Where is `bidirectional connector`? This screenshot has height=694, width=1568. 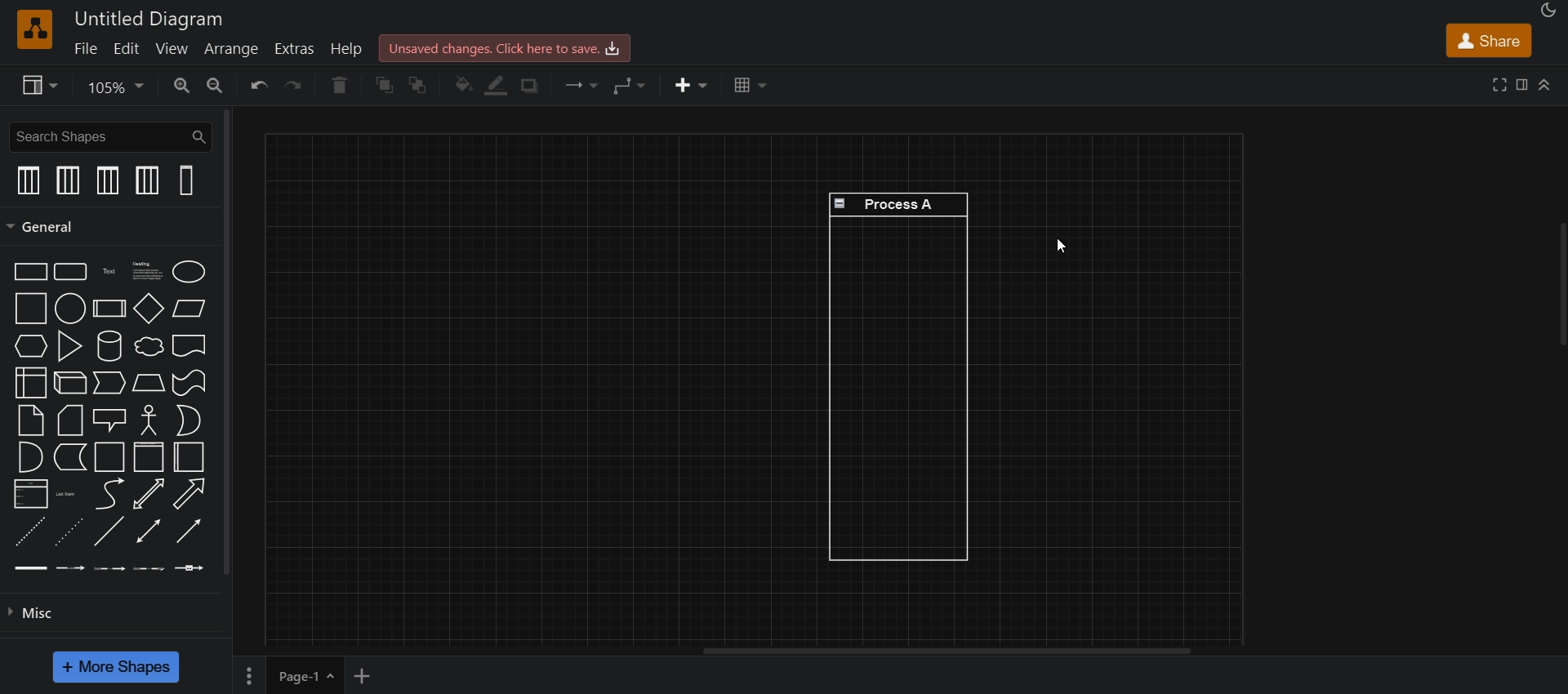
bidirectional connector is located at coordinates (148, 535).